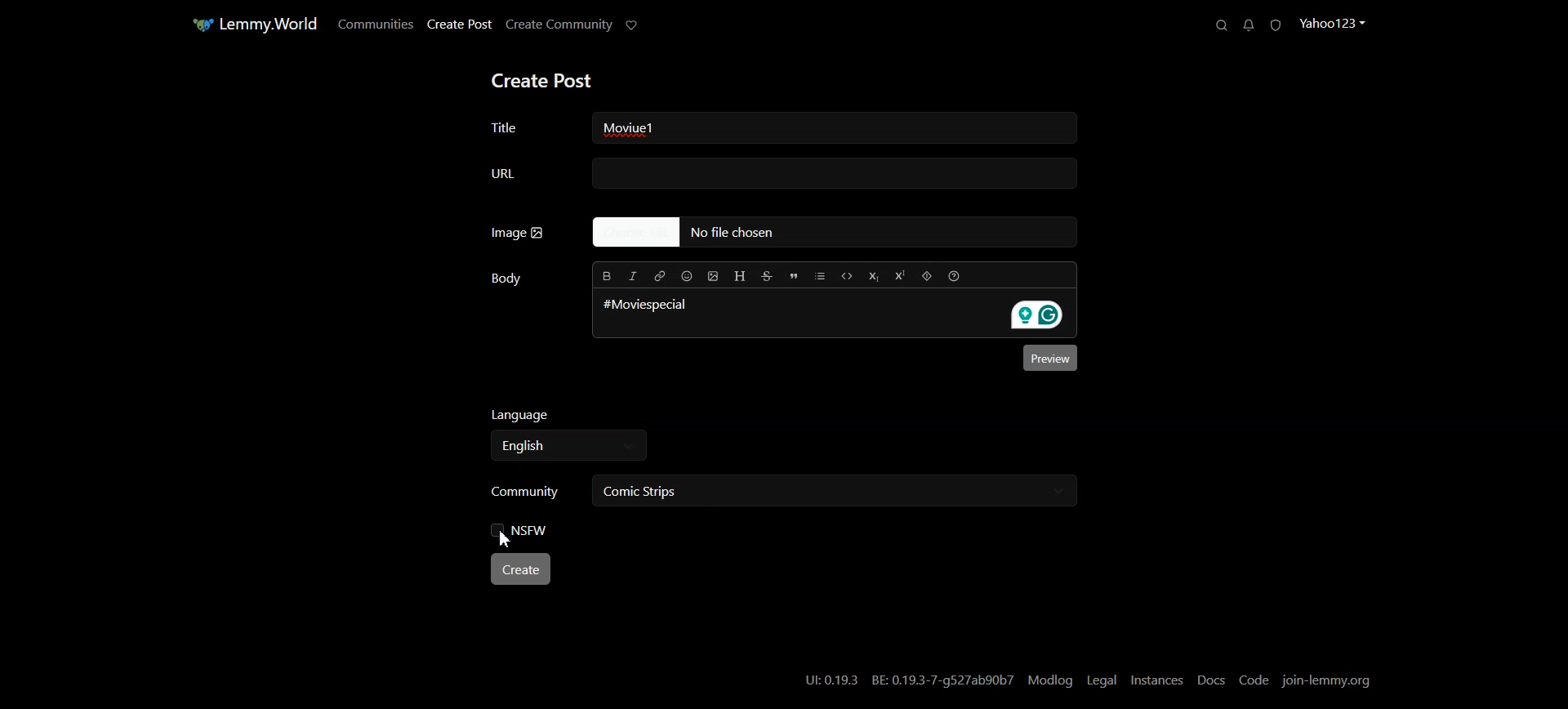  Describe the element at coordinates (1101, 680) in the screenshot. I see `Legal` at that location.